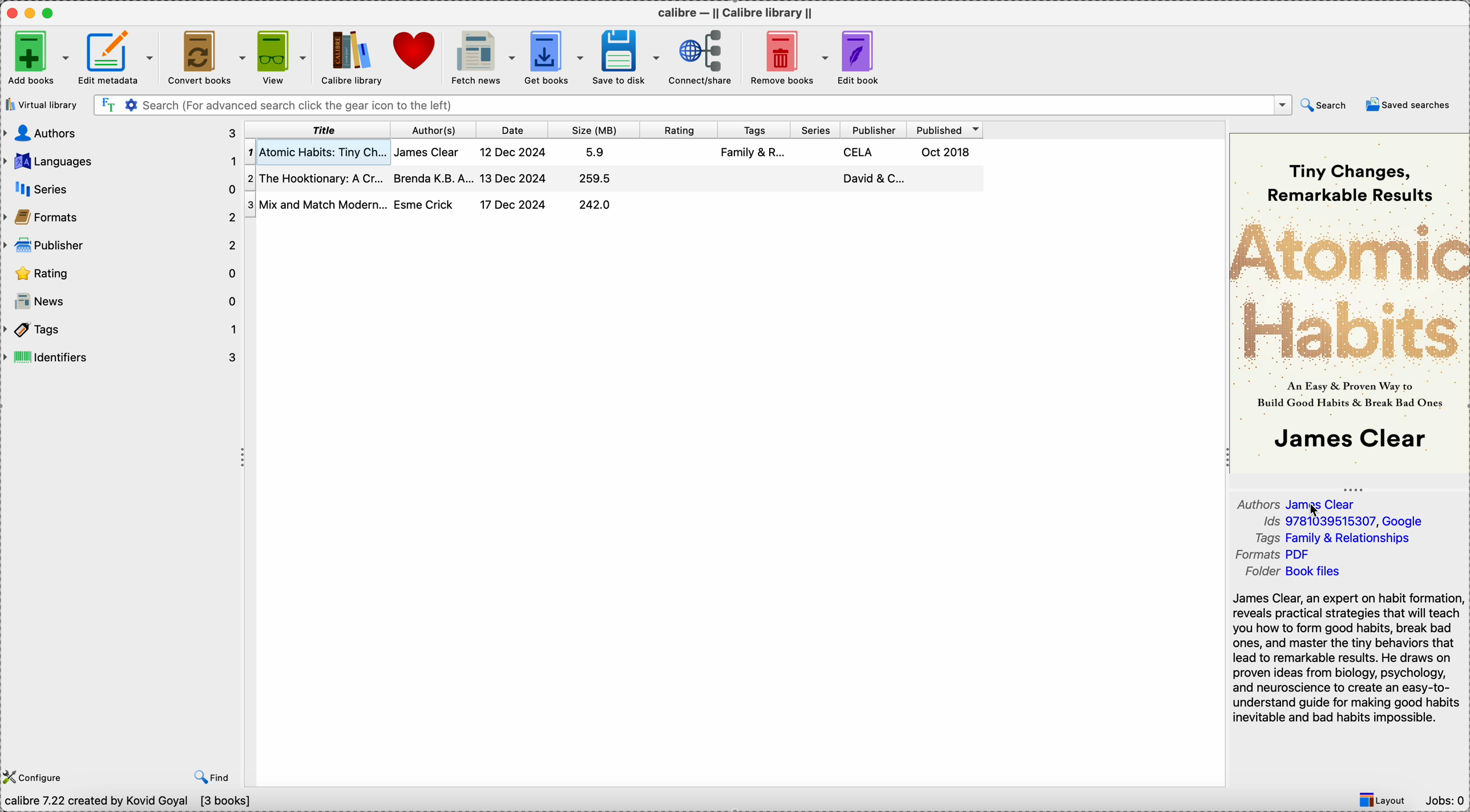 This screenshot has height=812, width=1470. What do you see at coordinates (596, 204) in the screenshot?
I see `242.0` at bounding box center [596, 204].